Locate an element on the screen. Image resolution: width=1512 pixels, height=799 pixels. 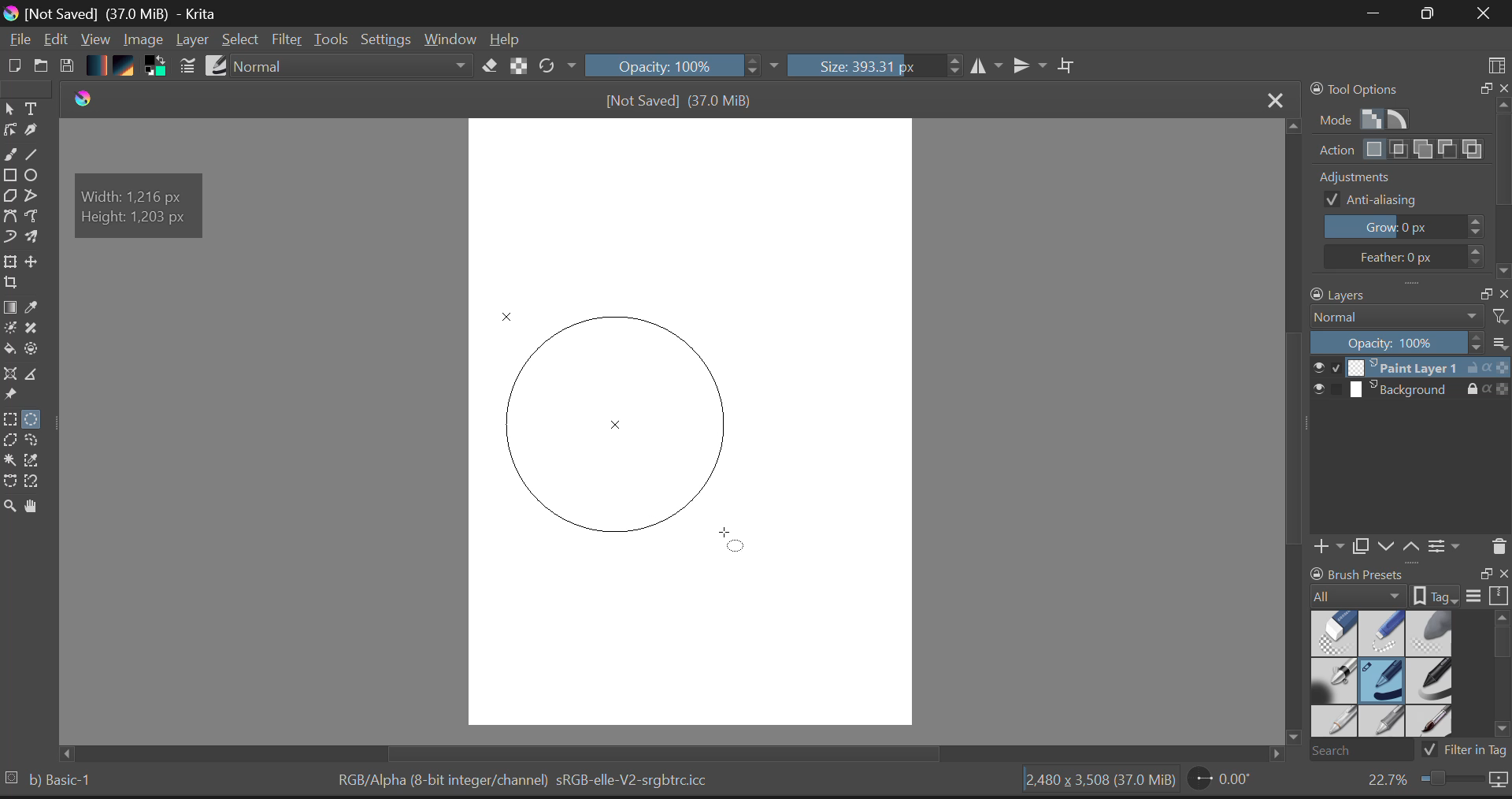
Crop is located at coordinates (1067, 66).